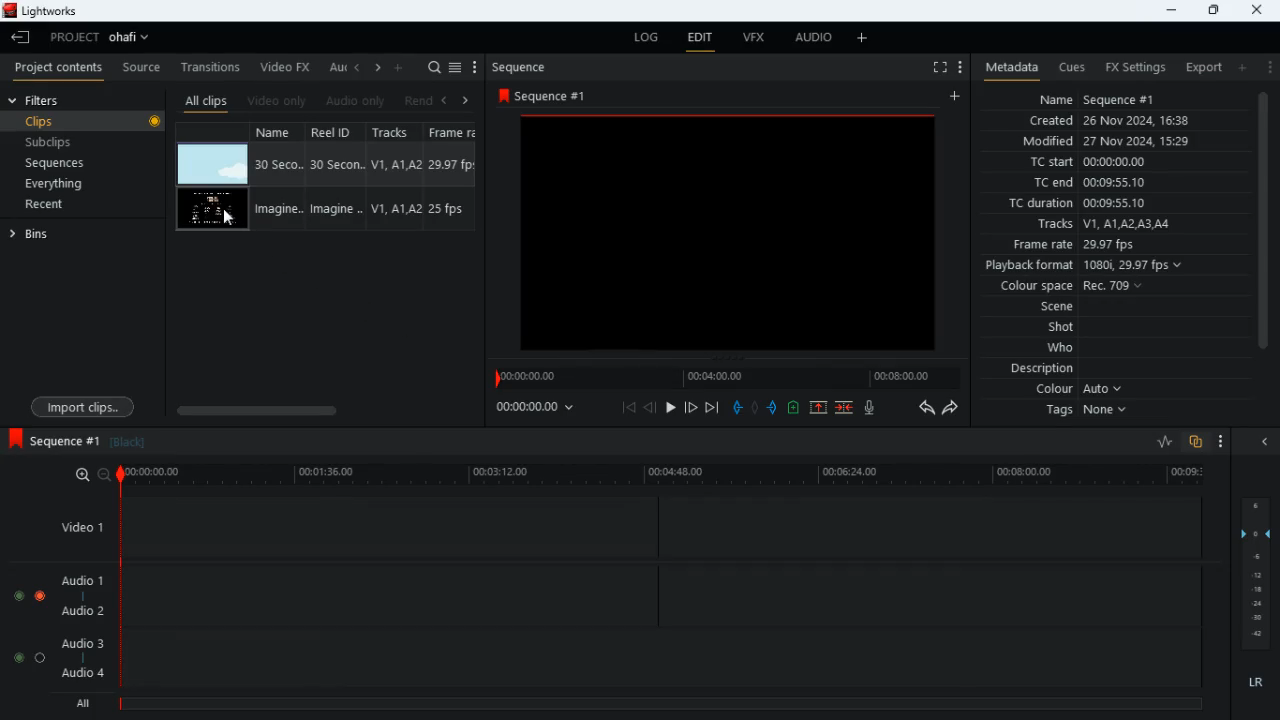  I want to click on more, so click(1268, 66).